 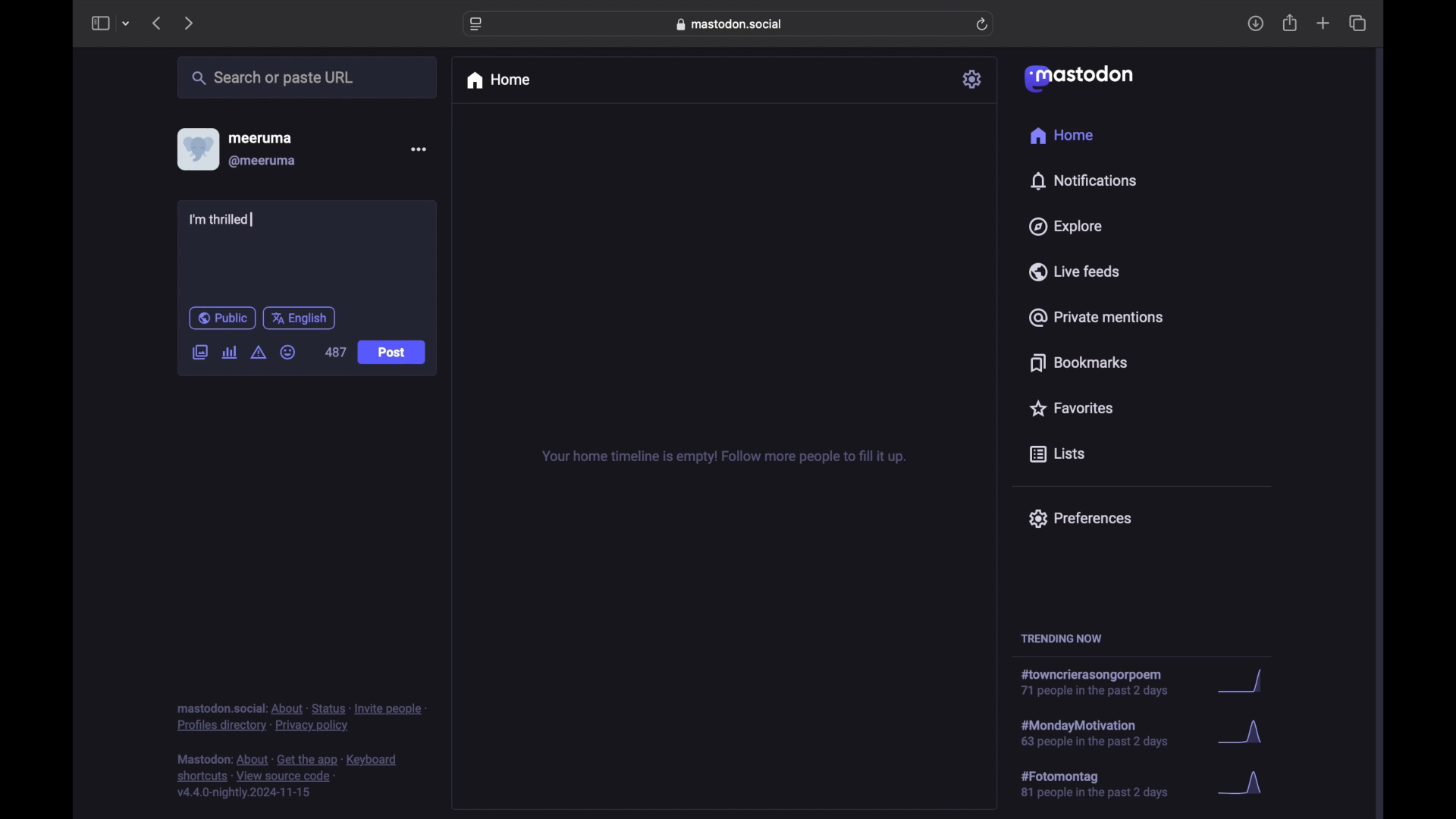 I want to click on lists, so click(x=1057, y=455).